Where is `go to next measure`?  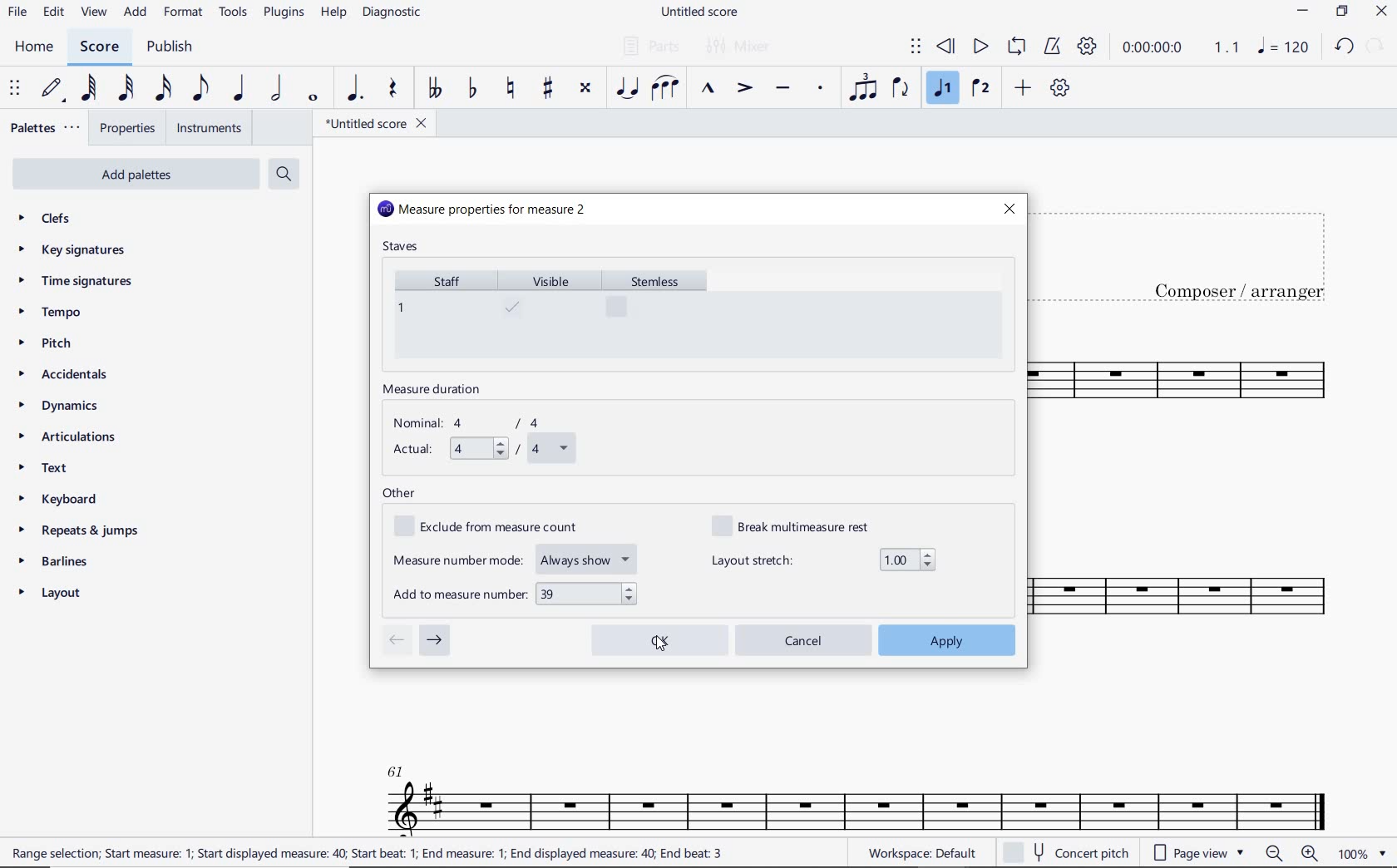 go to next measure is located at coordinates (435, 641).